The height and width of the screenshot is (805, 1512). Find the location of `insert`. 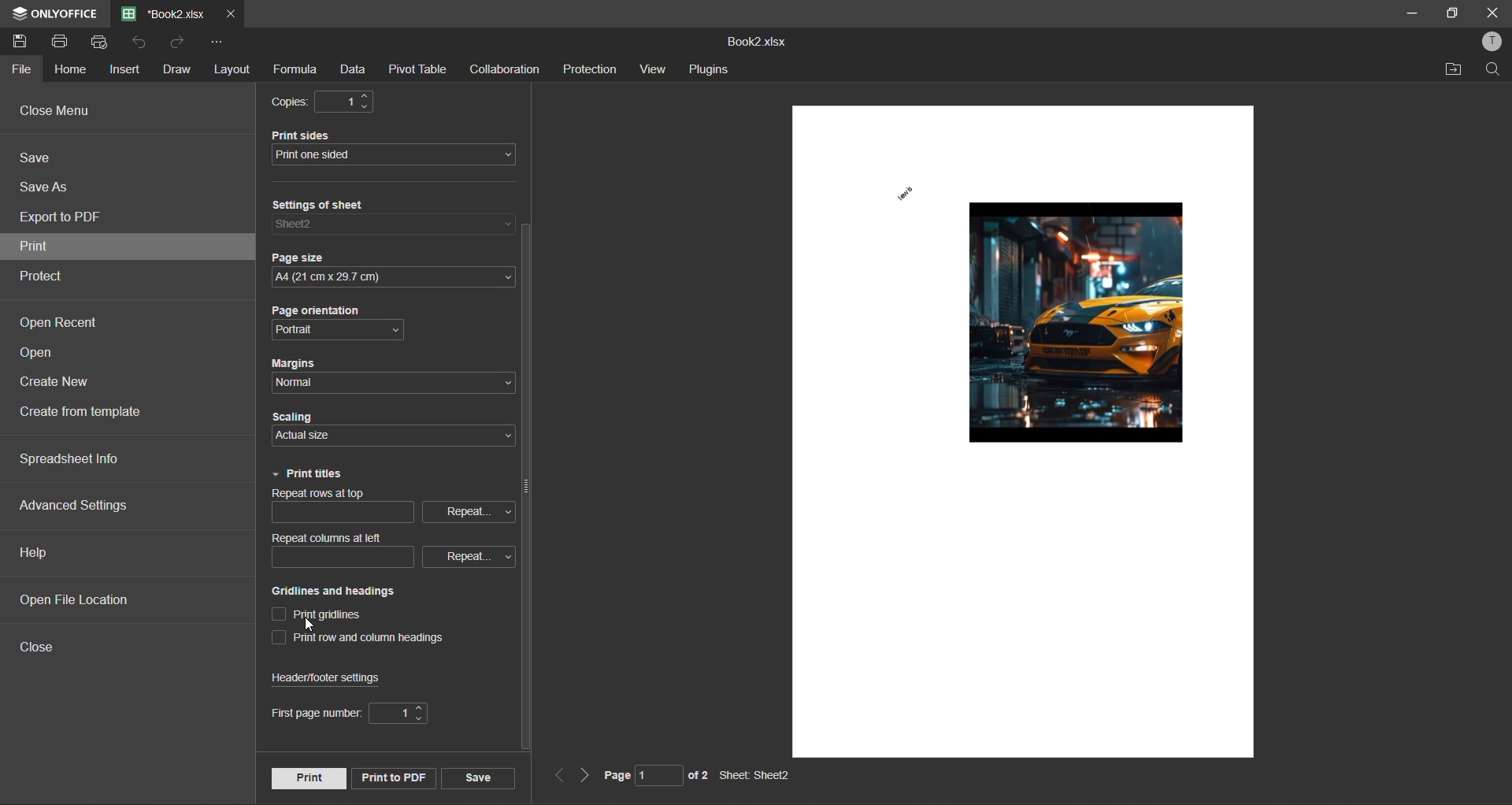

insert is located at coordinates (122, 69).